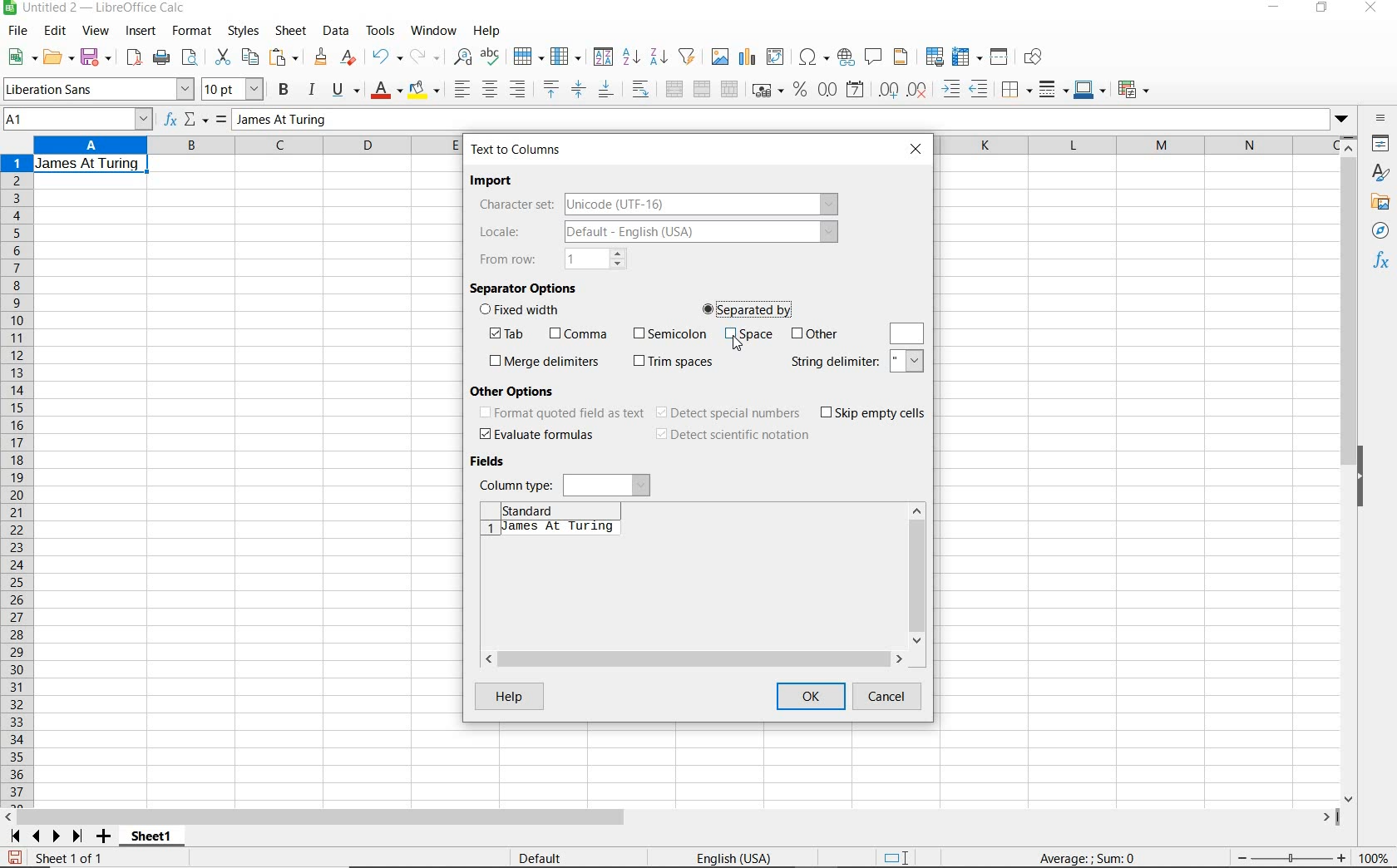 Image resolution: width=1397 pixels, height=868 pixels. What do you see at coordinates (892, 89) in the screenshot?
I see `add decimal place` at bounding box center [892, 89].